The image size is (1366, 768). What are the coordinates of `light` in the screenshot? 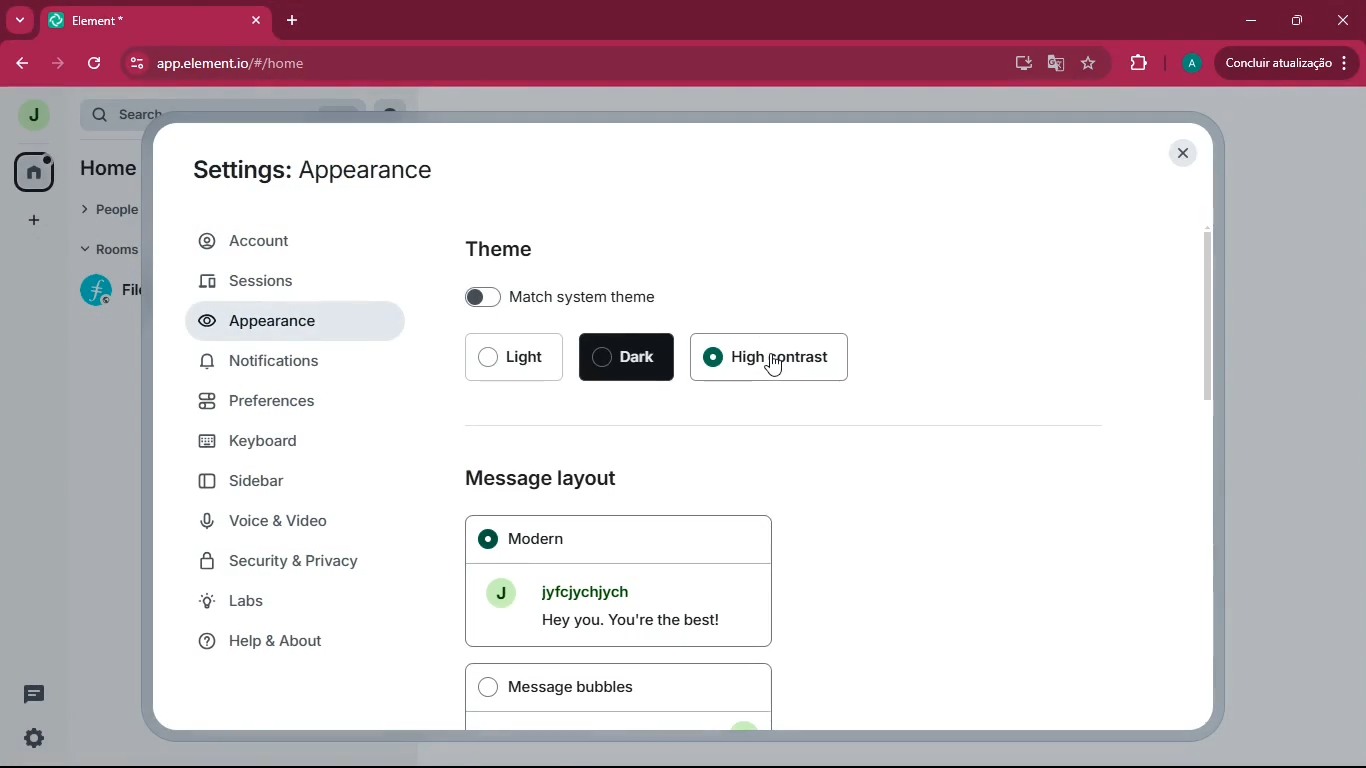 It's located at (517, 358).